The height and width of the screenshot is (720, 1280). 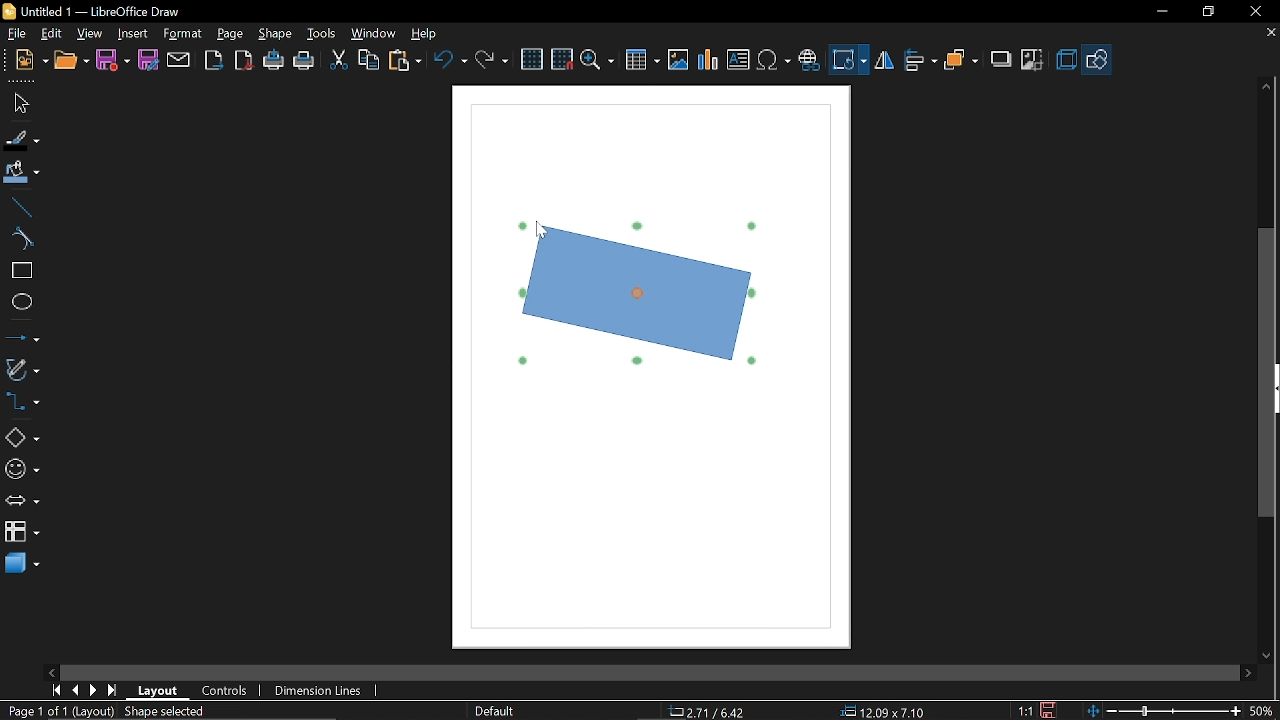 What do you see at coordinates (20, 271) in the screenshot?
I see `rectangle` at bounding box center [20, 271].